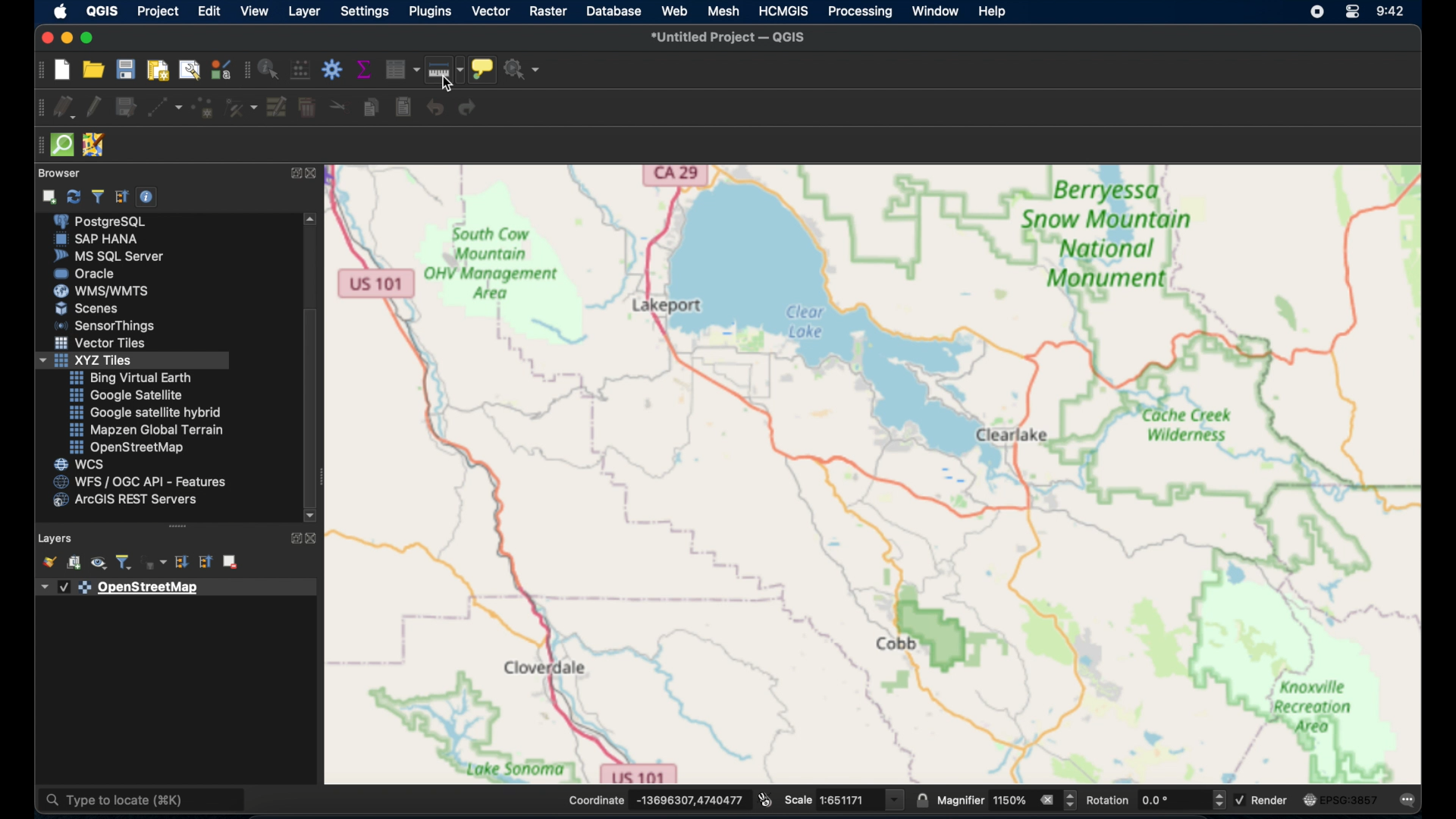 The height and width of the screenshot is (819, 1456). What do you see at coordinates (245, 71) in the screenshot?
I see `attributes. toolbar` at bounding box center [245, 71].